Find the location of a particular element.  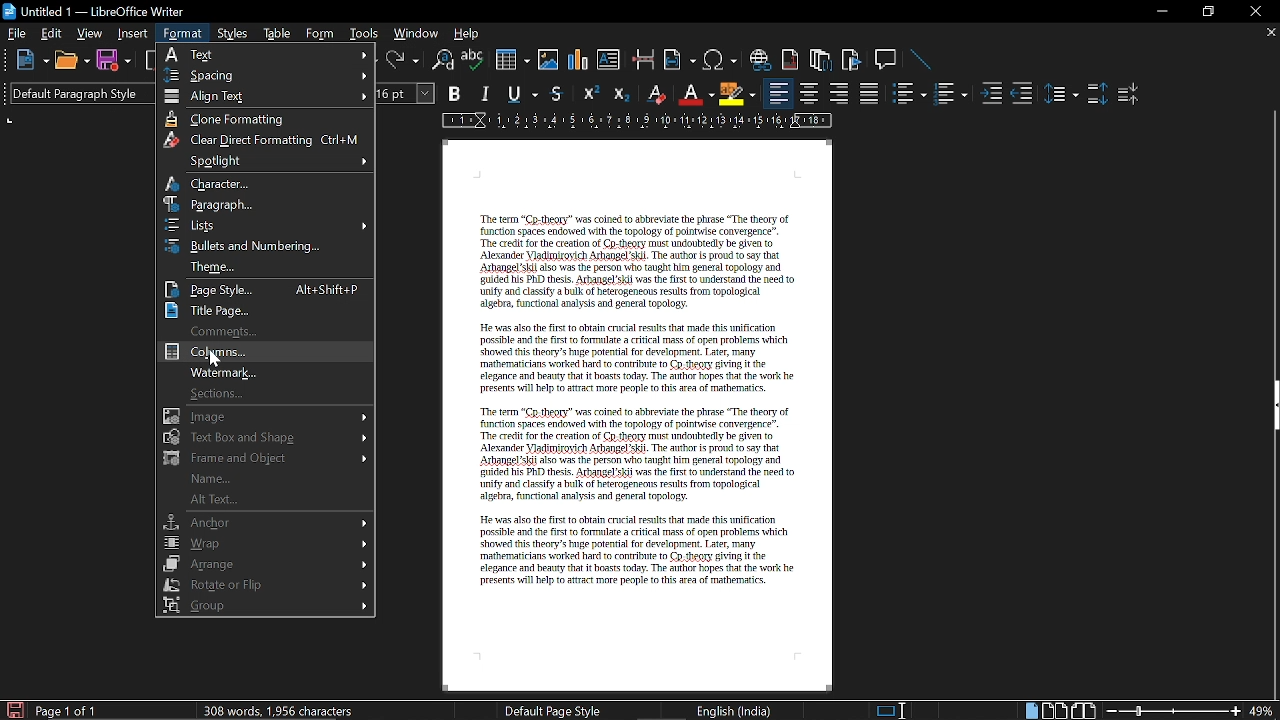

Set line spacing is located at coordinates (1061, 94).